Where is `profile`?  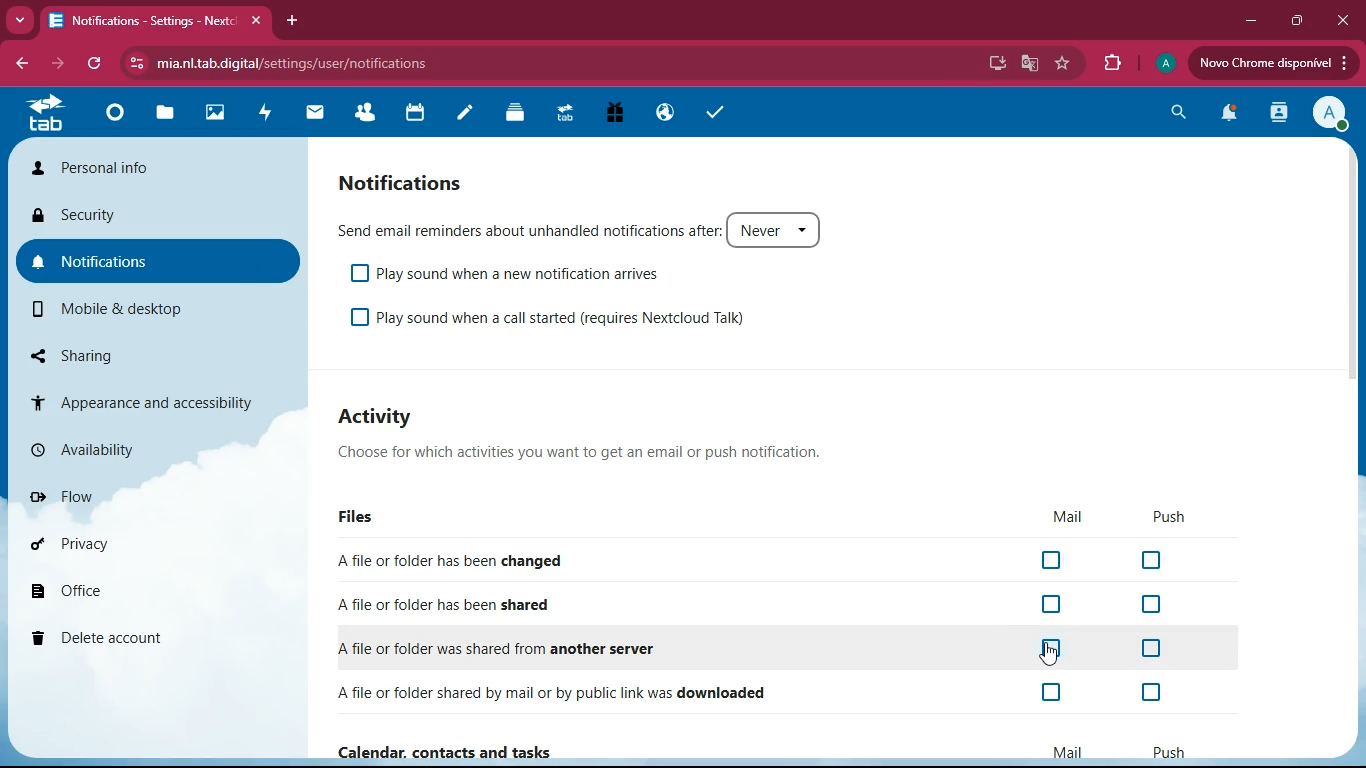 profile is located at coordinates (1331, 114).